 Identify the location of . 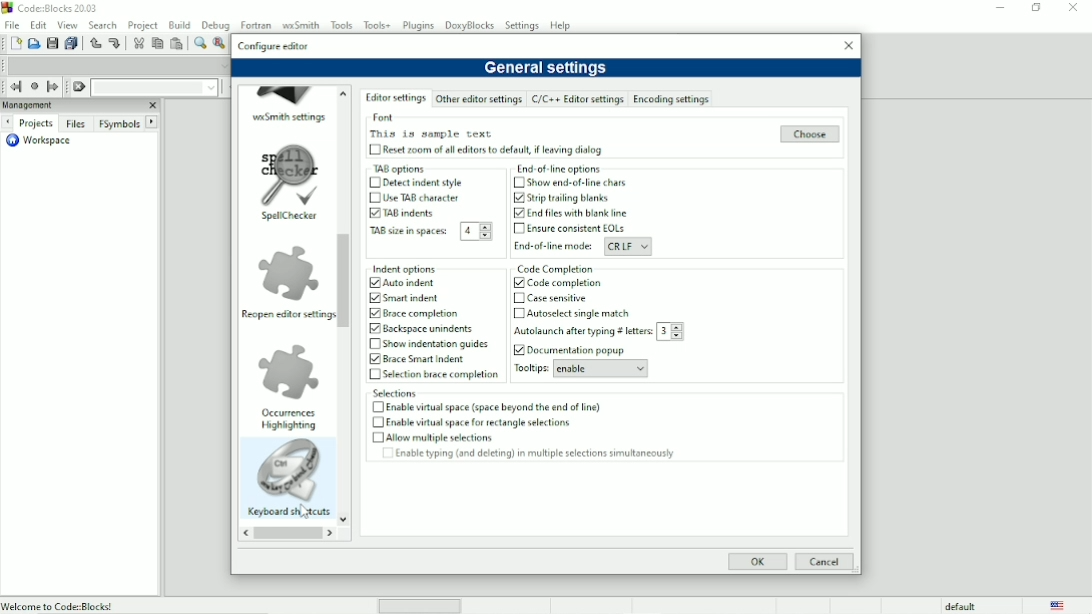
(517, 298).